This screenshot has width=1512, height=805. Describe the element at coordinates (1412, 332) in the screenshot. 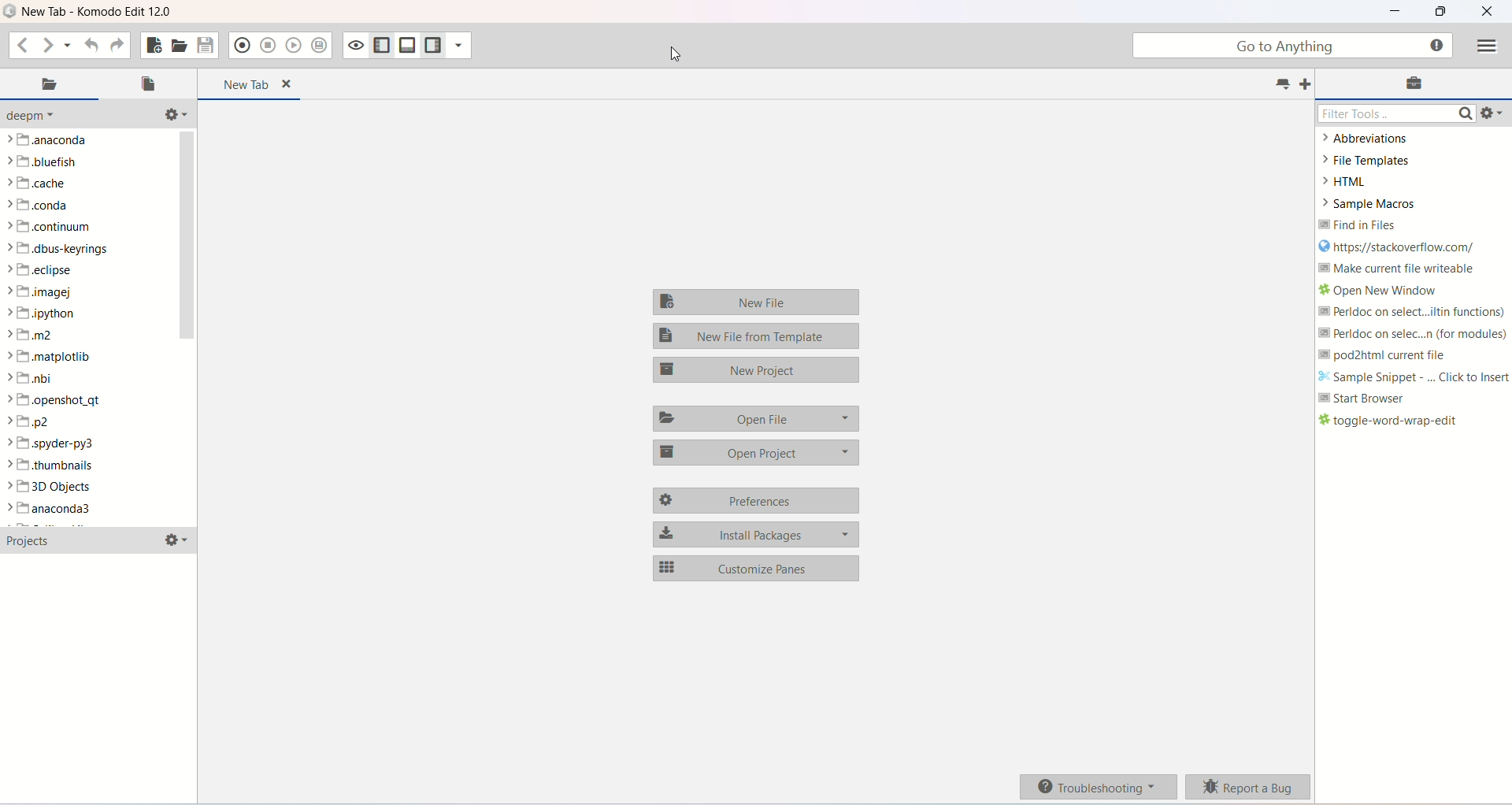

I see `perldoc (for modules)` at that location.